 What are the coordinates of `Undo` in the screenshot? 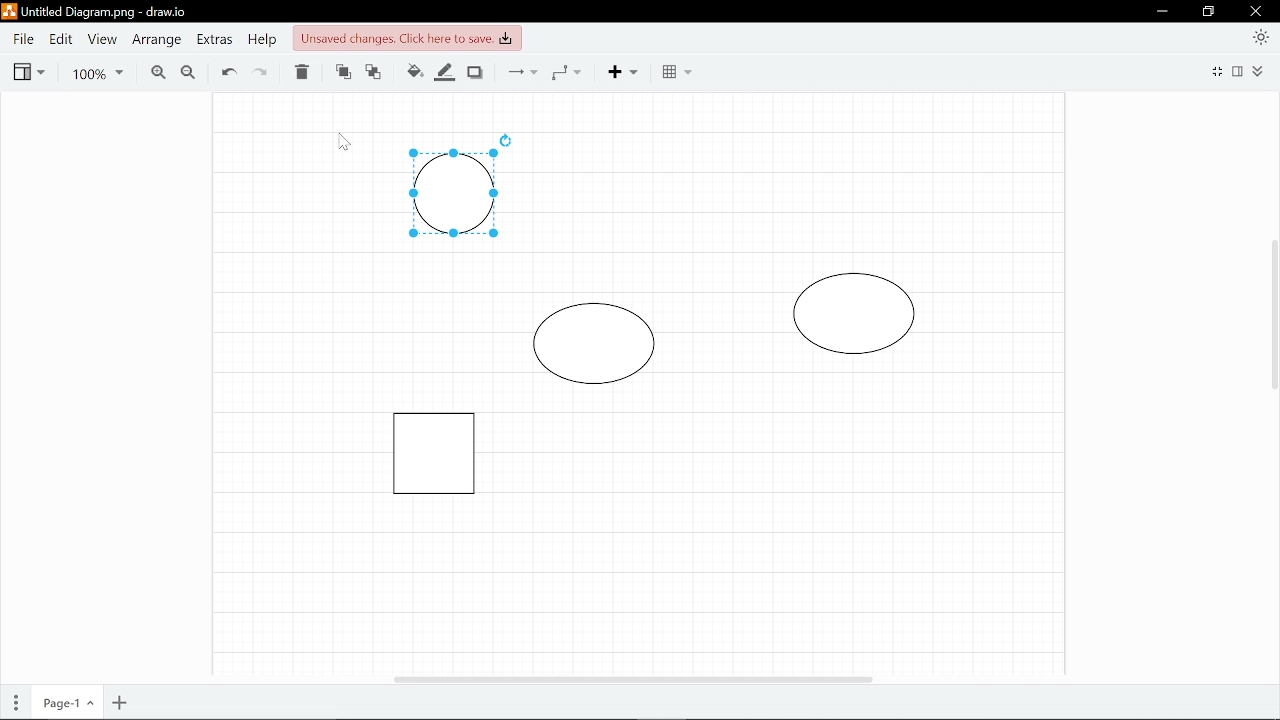 It's located at (228, 71).